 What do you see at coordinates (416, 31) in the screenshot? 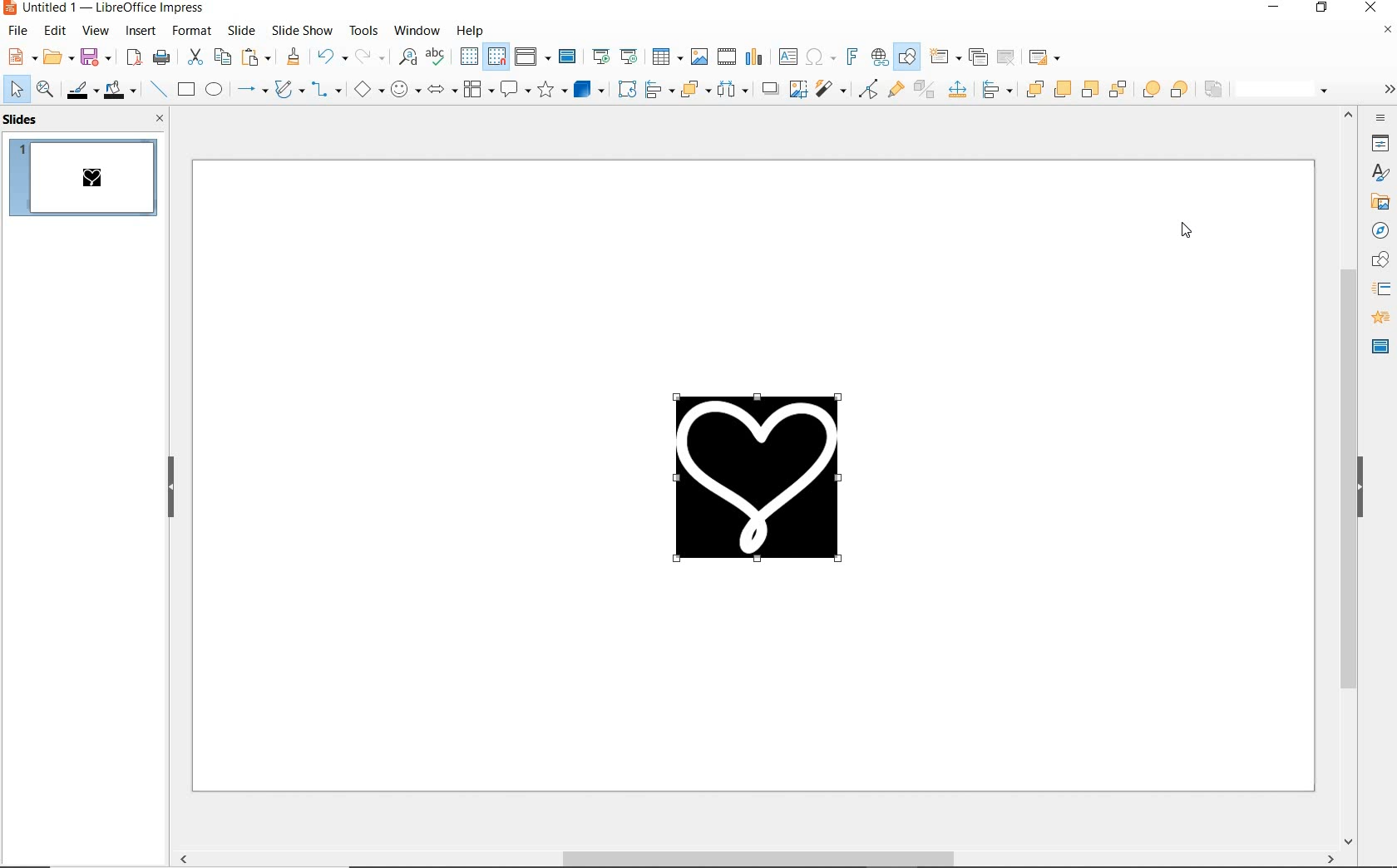
I see `window` at bounding box center [416, 31].